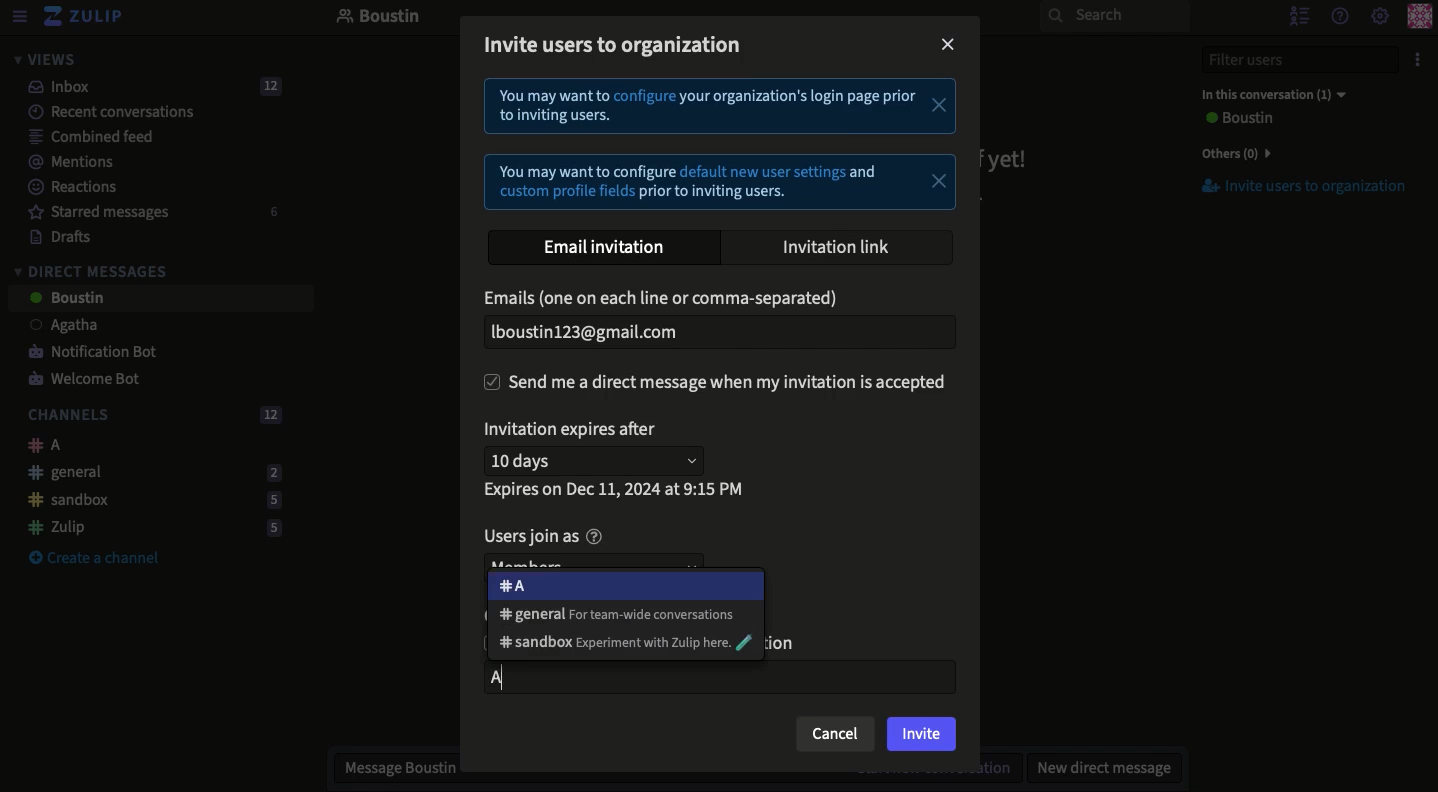 The image size is (1438, 792). I want to click on Channels, so click(150, 416).